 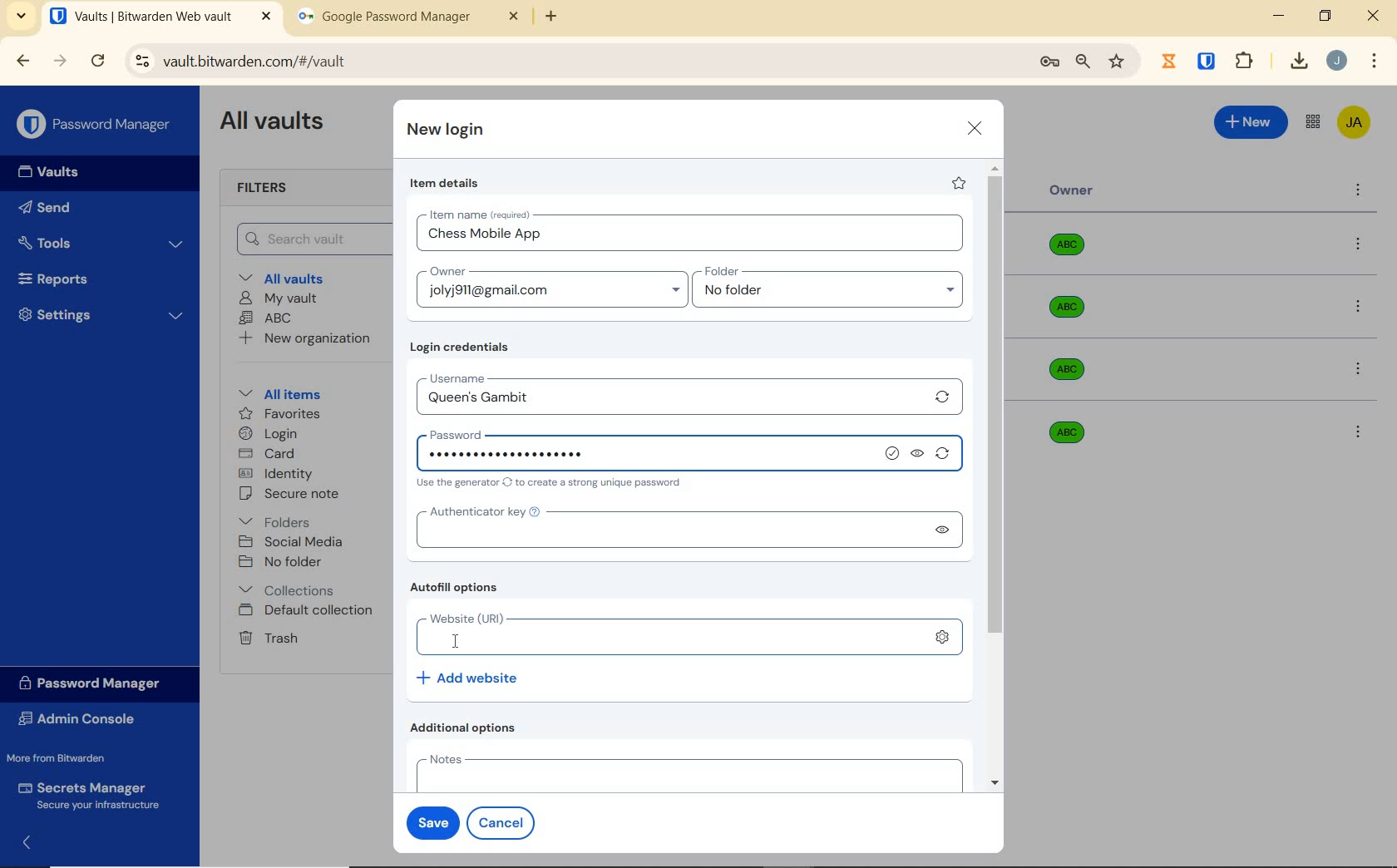 I want to click on option, so click(x=1361, y=245).